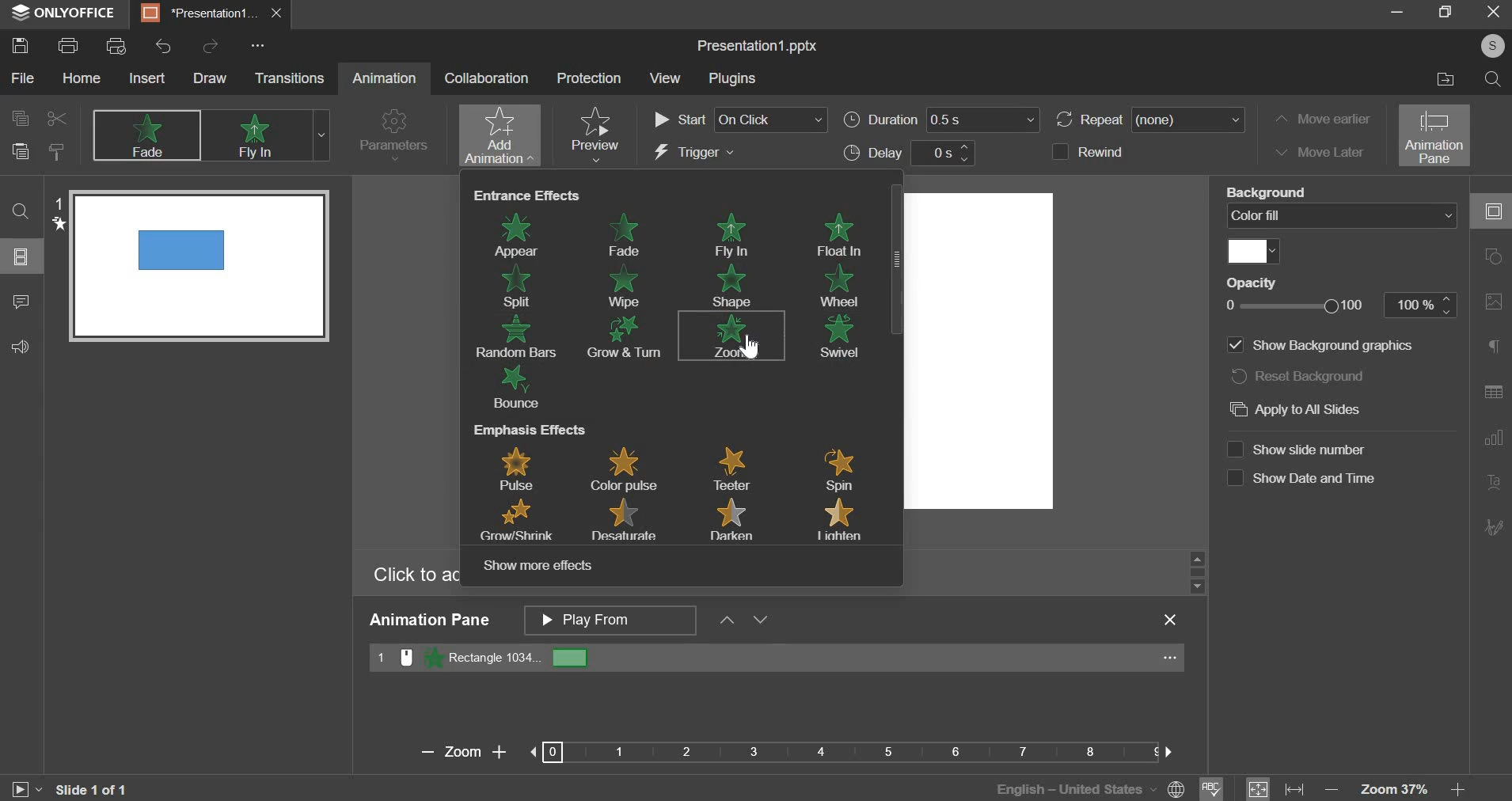 The image size is (1512, 801). What do you see at coordinates (590, 78) in the screenshot?
I see `Protection` at bounding box center [590, 78].